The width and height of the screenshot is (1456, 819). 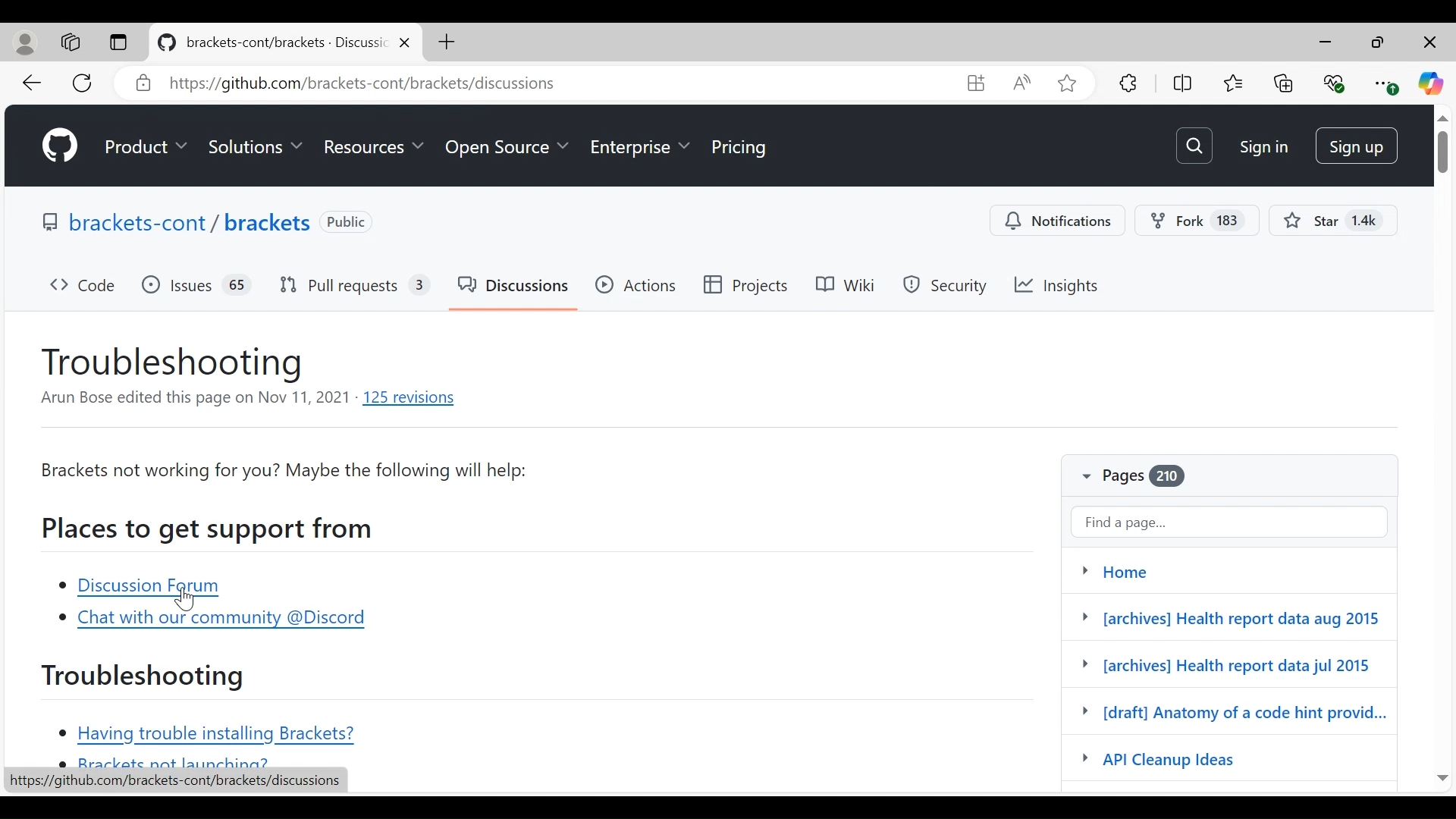 What do you see at coordinates (1128, 81) in the screenshot?
I see `Extensions` at bounding box center [1128, 81].